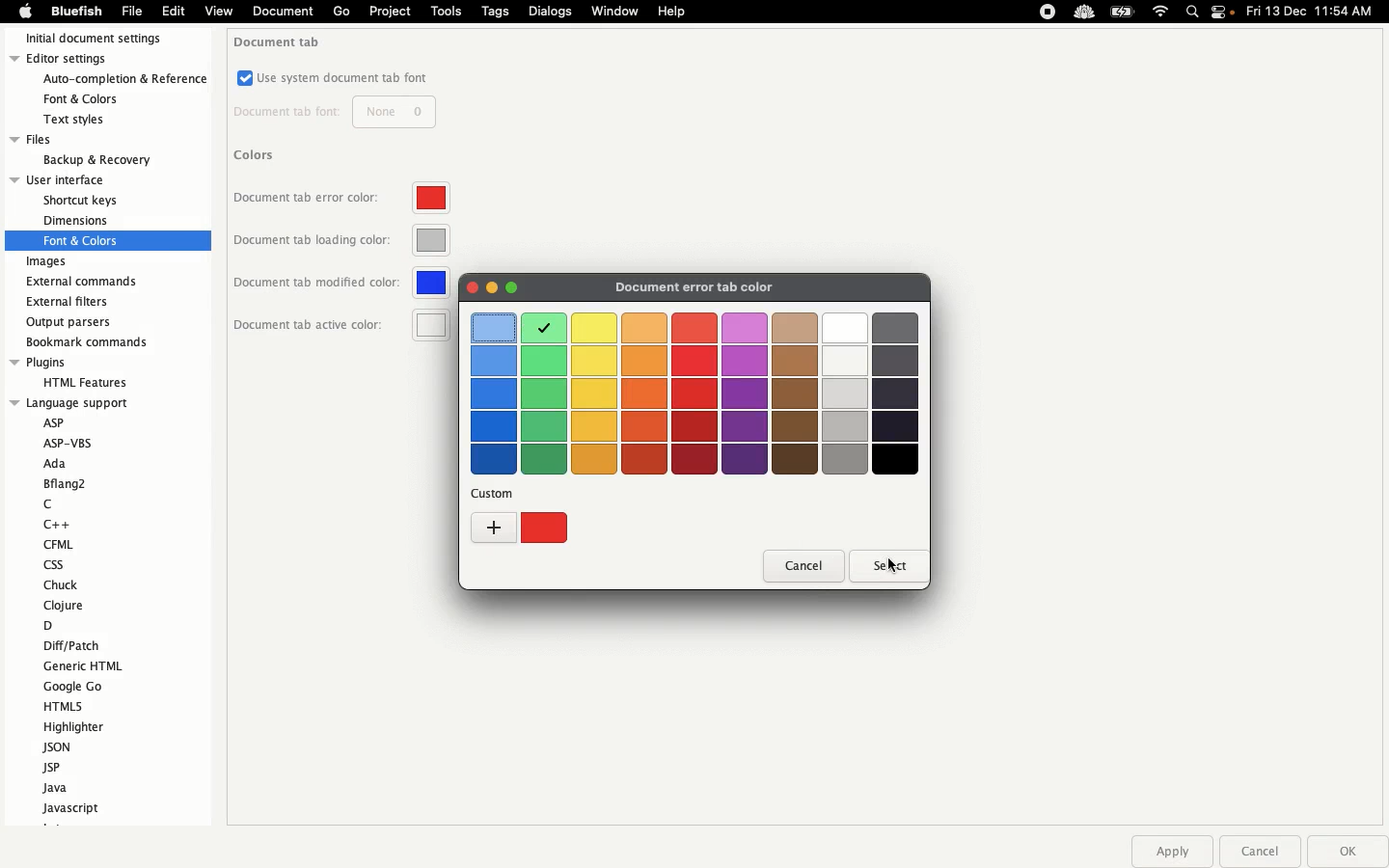 The width and height of the screenshot is (1389, 868). Describe the element at coordinates (1344, 851) in the screenshot. I see `Ok` at that location.